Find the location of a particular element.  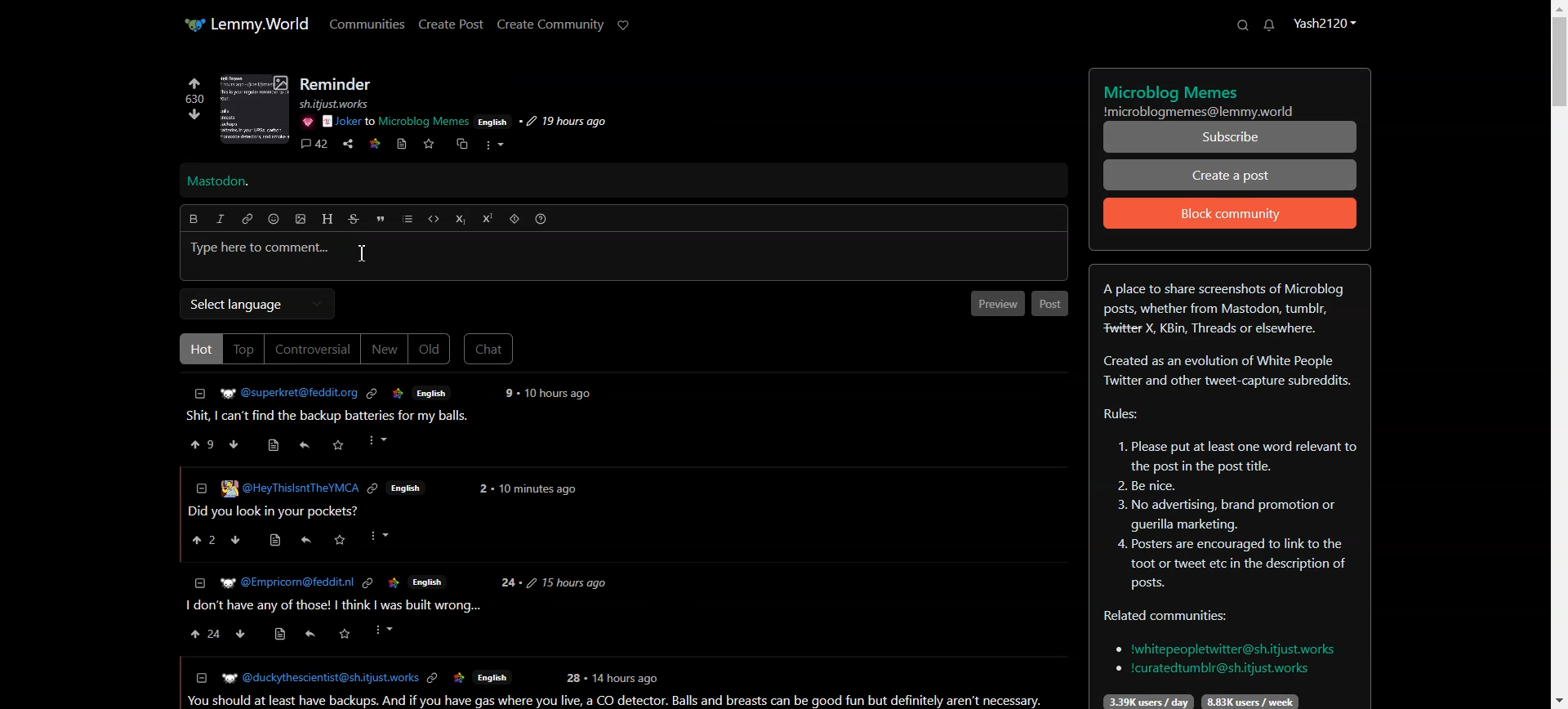

Create Community is located at coordinates (550, 25).